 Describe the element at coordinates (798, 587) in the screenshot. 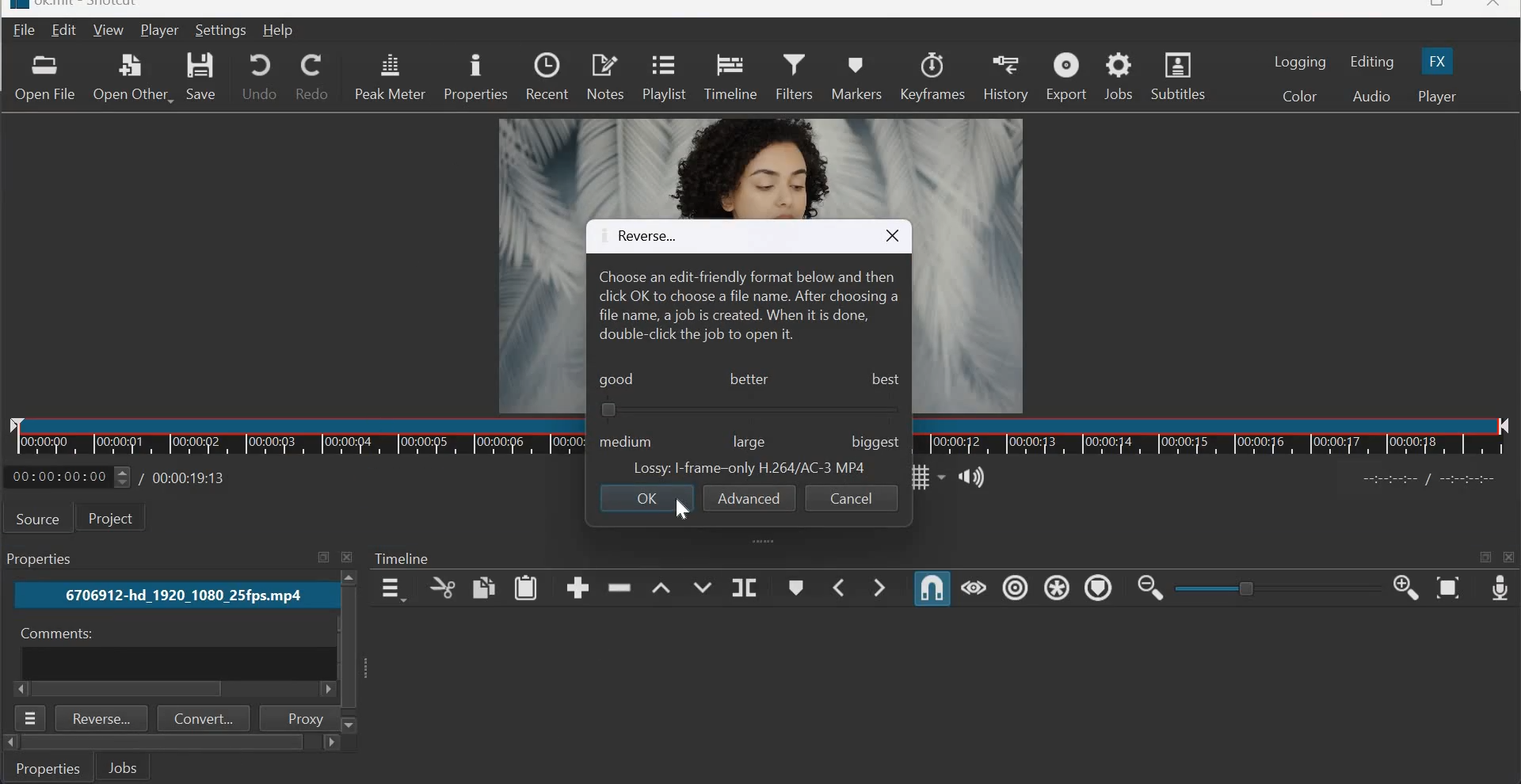

I see `Create/edit marker` at that location.